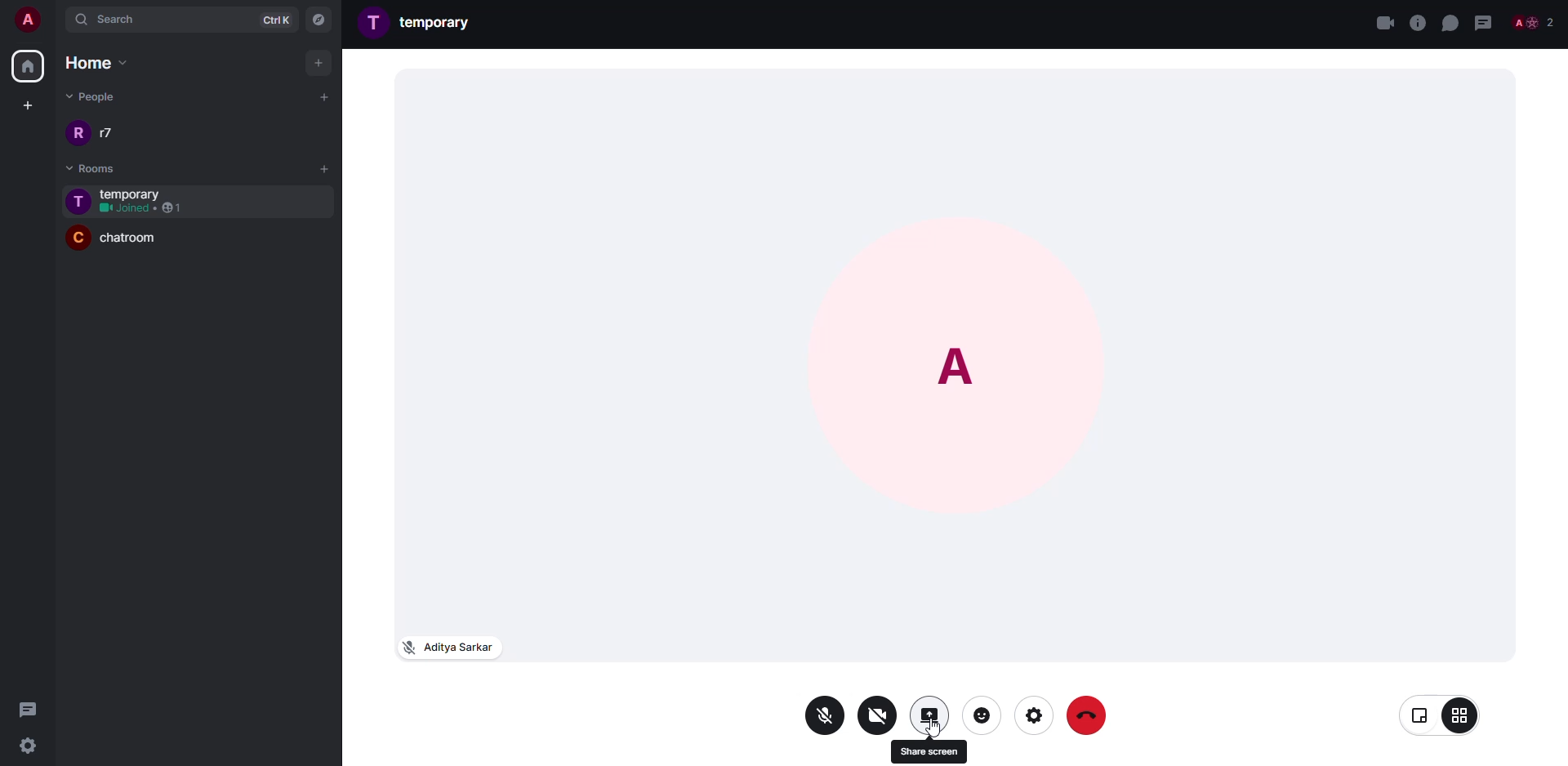  What do you see at coordinates (140, 242) in the screenshot?
I see `room` at bounding box center [140, 242].